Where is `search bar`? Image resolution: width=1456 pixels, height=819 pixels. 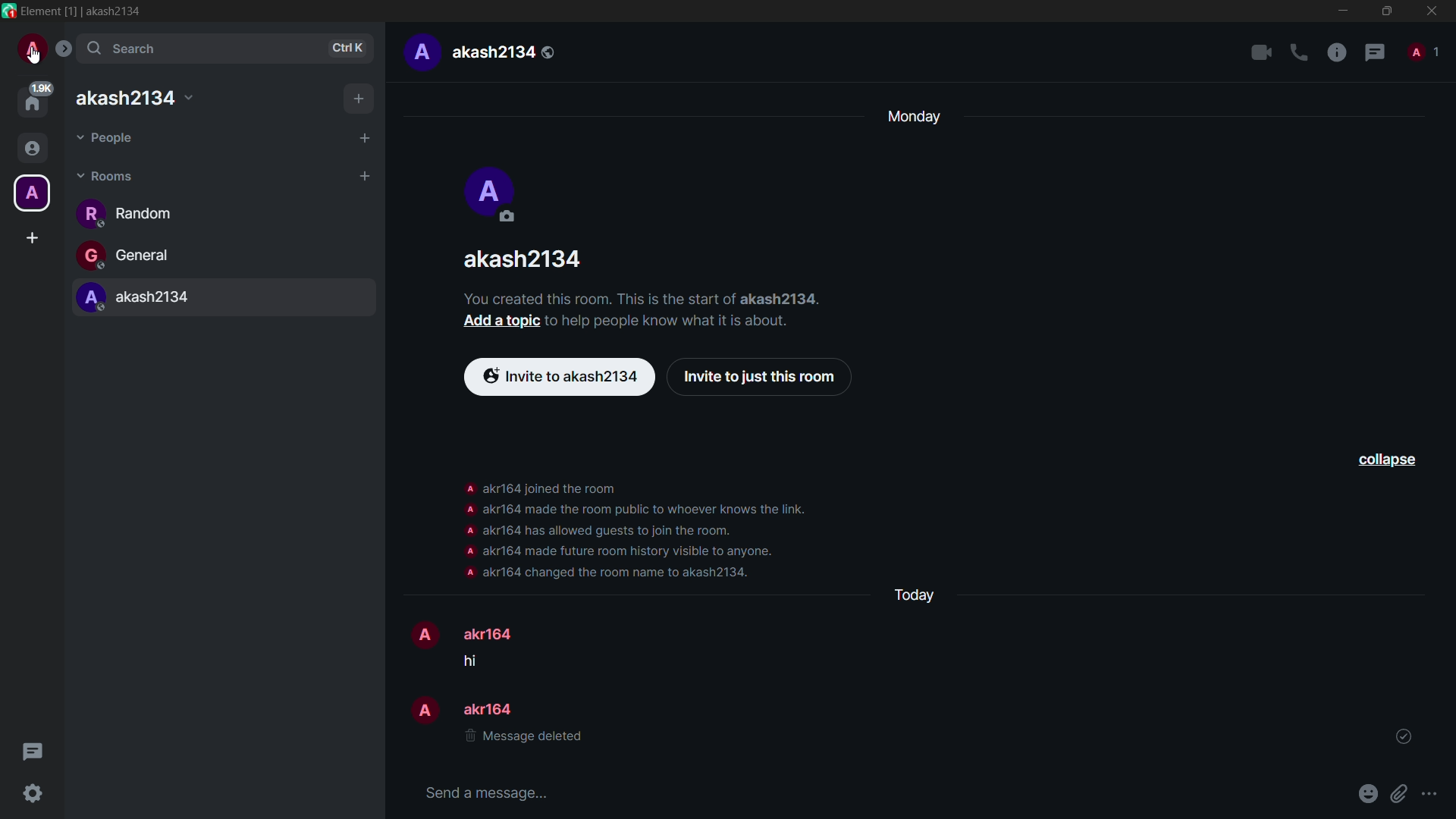 search bar is located at coordinates (227, 49).